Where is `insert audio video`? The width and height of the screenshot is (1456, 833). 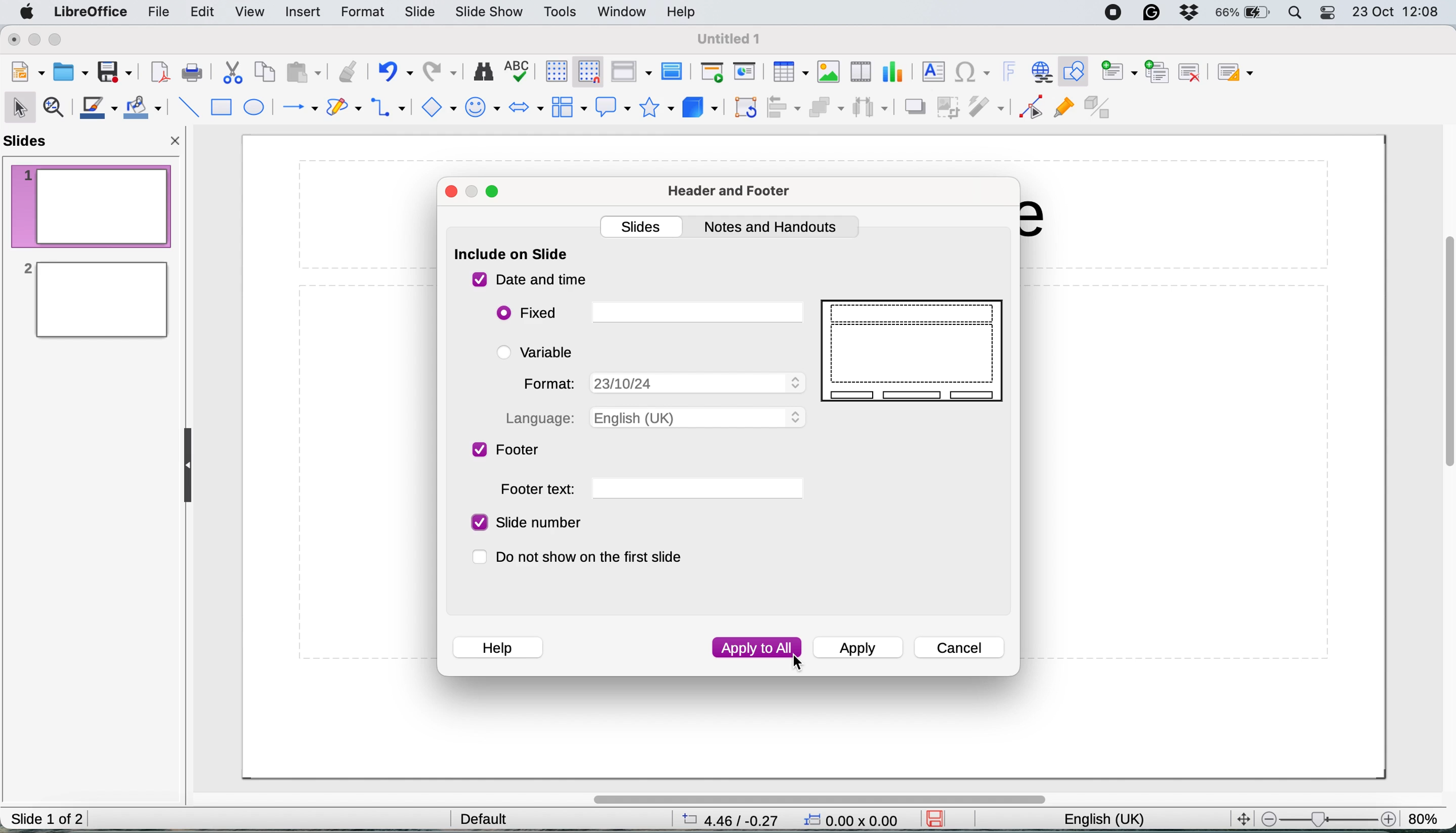 insert audio video is located at coordinates (864, 70).